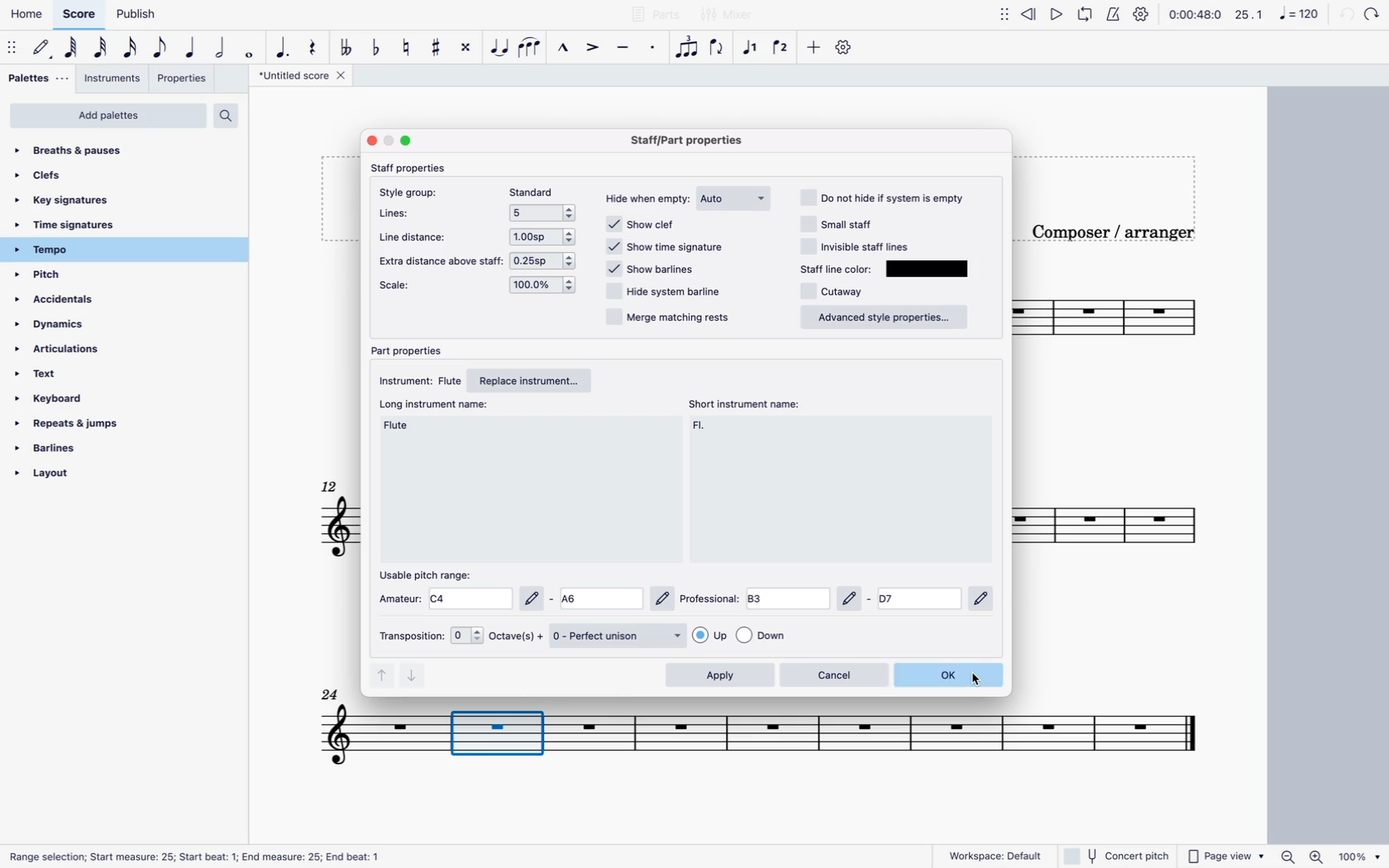 The image size is (1389, 868). Describe the element at coordinates (400, 287) in the screenshot. I see `scale` at that location.